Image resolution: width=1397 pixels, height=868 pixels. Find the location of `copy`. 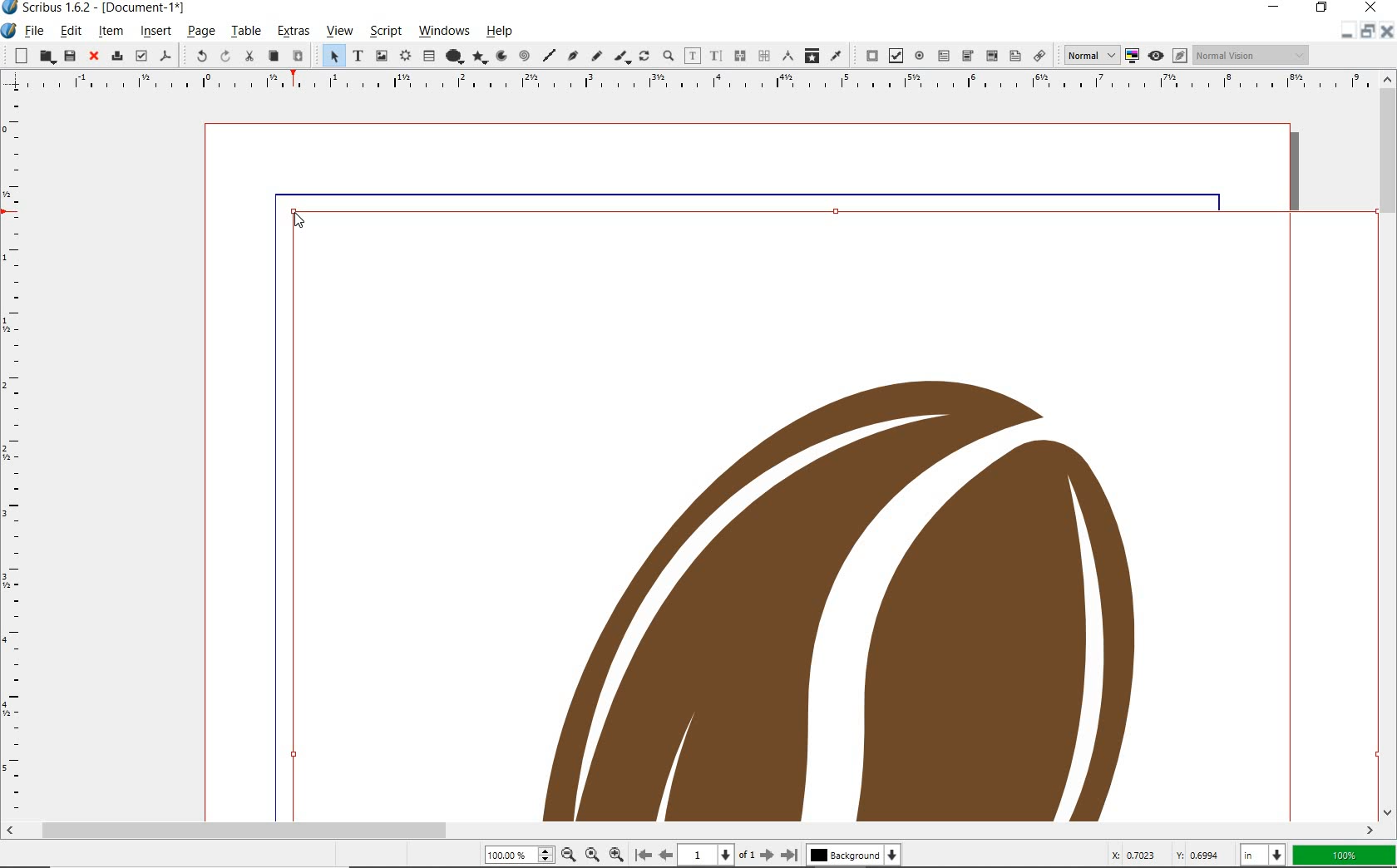

copy is located at coordinates (274, 56).